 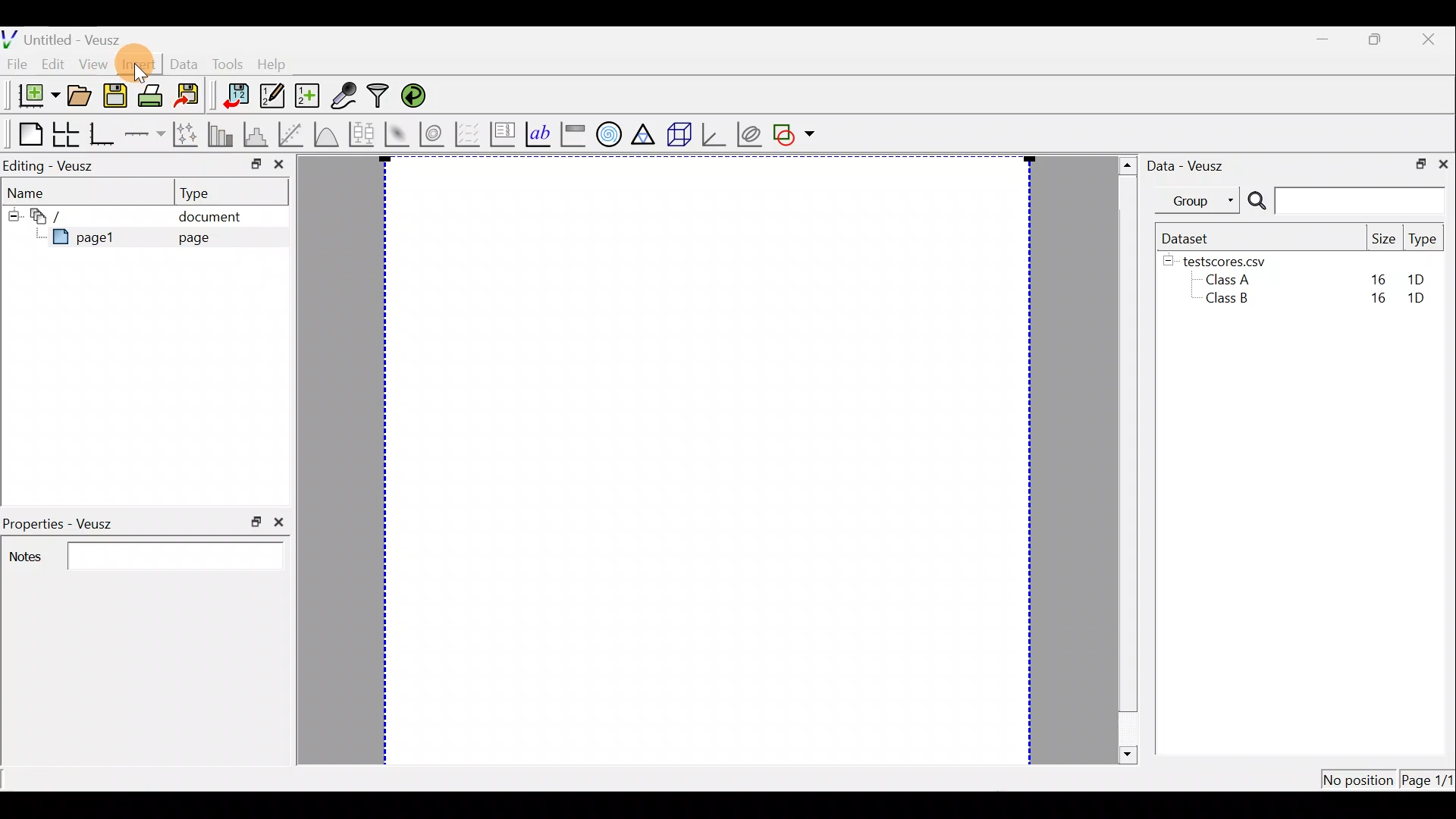 What do you see at coordinates (1189, 237) in the screenshot?
I see `Dataset` at bounding box center [1189, 237].